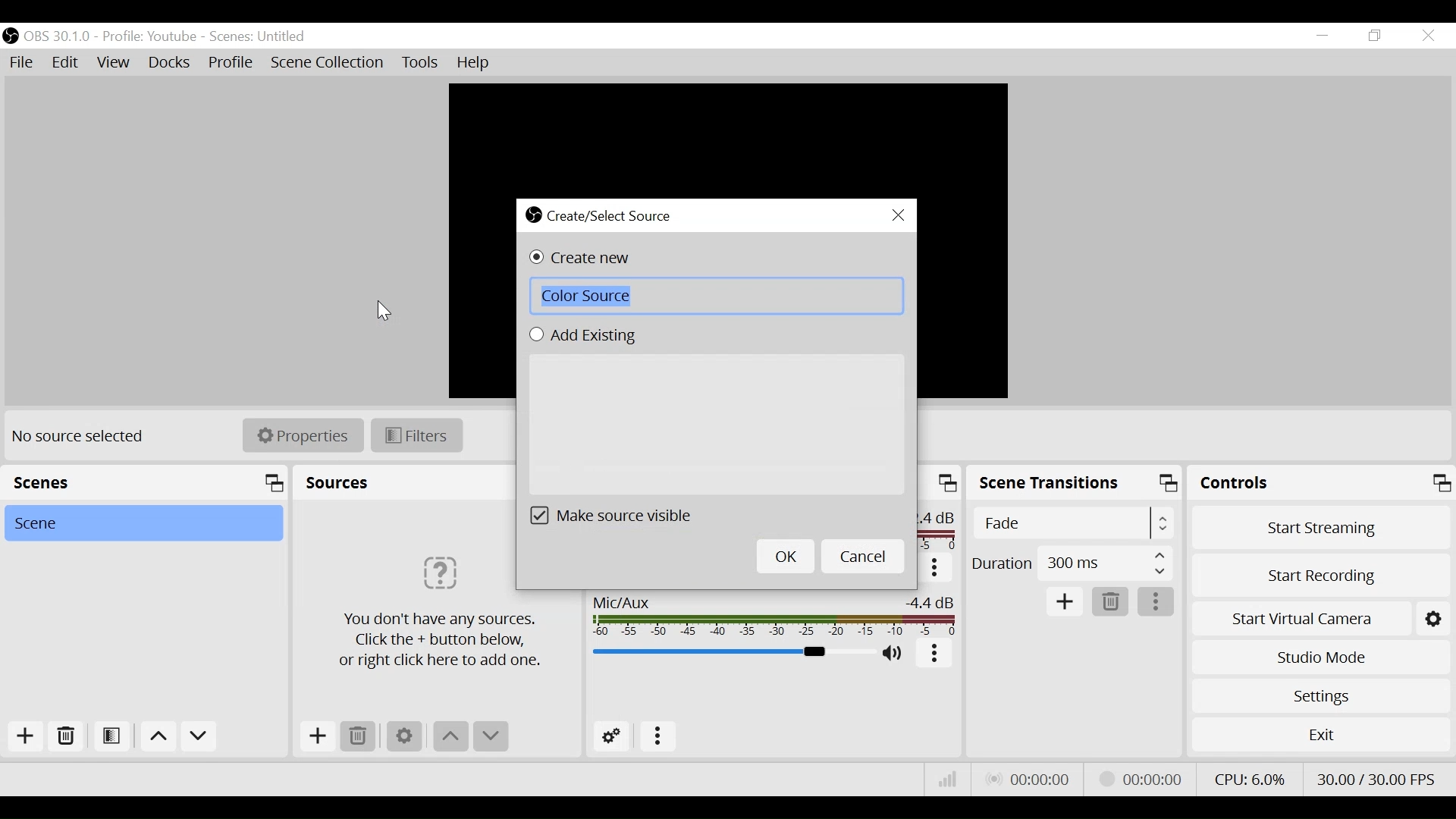 The image size is (1456, 819). What do you see at coordinates (613, 516) in the screenshot?
I see `(un)select Make Source visible` at bounding box center [613, 516].